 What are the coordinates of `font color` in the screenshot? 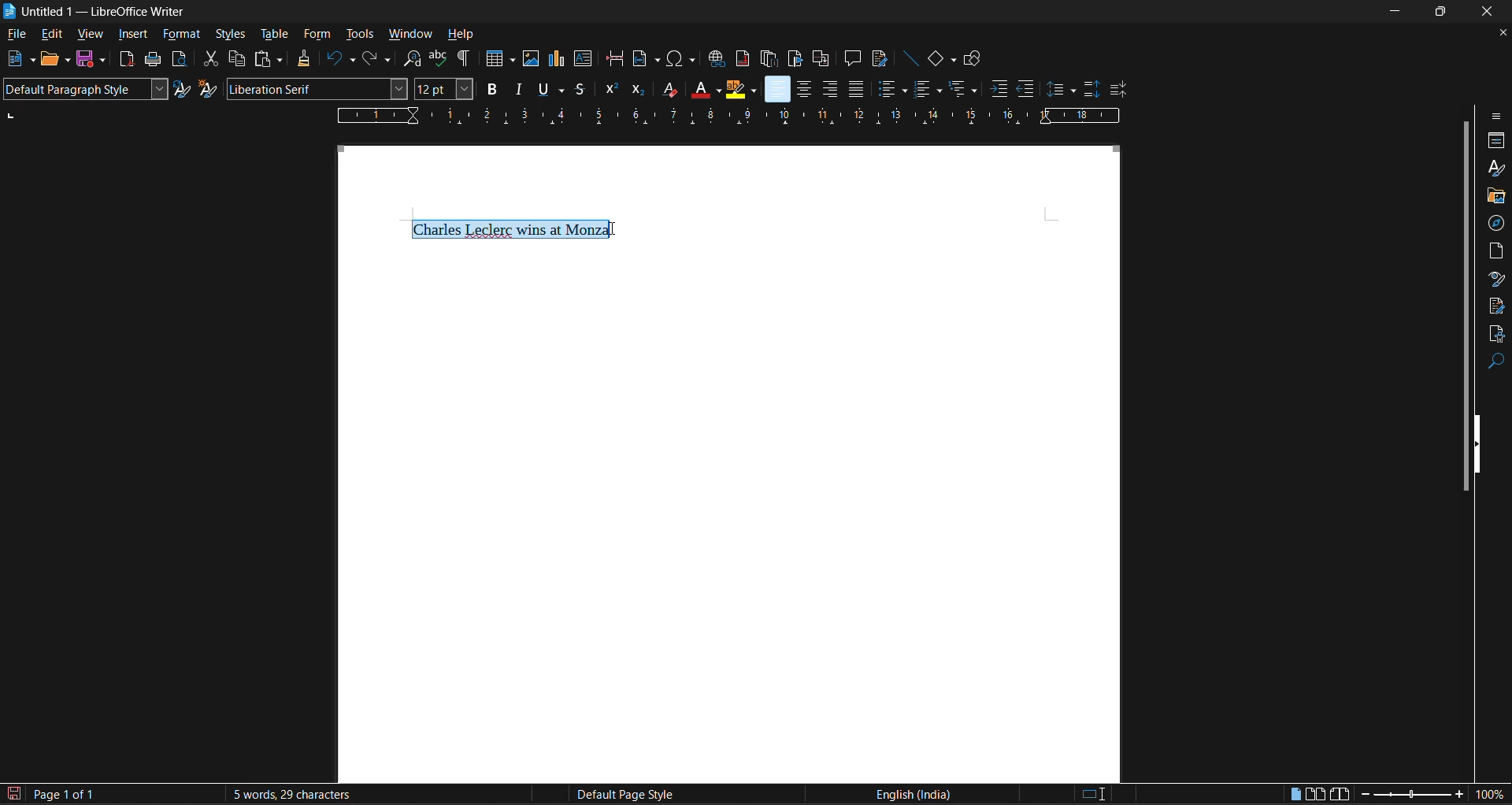 It's located at (704, 88).